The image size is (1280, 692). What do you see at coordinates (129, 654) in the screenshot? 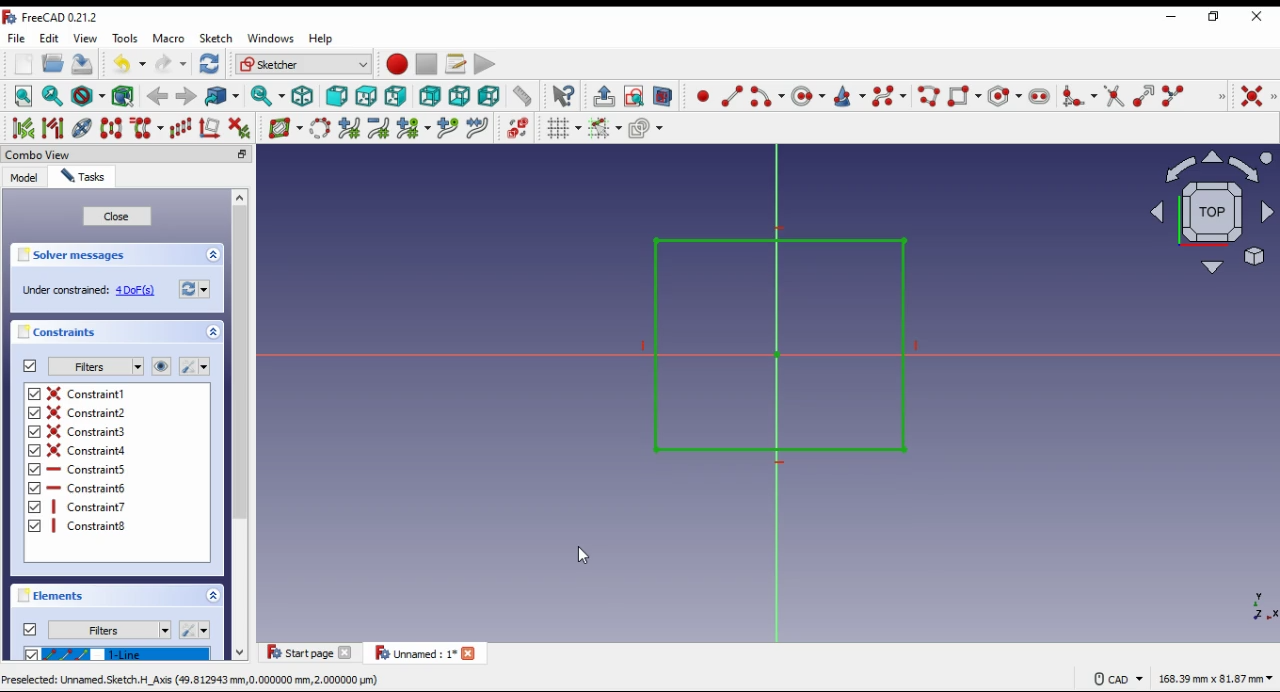
I see `  1-line` at bounding box center [129, 654].